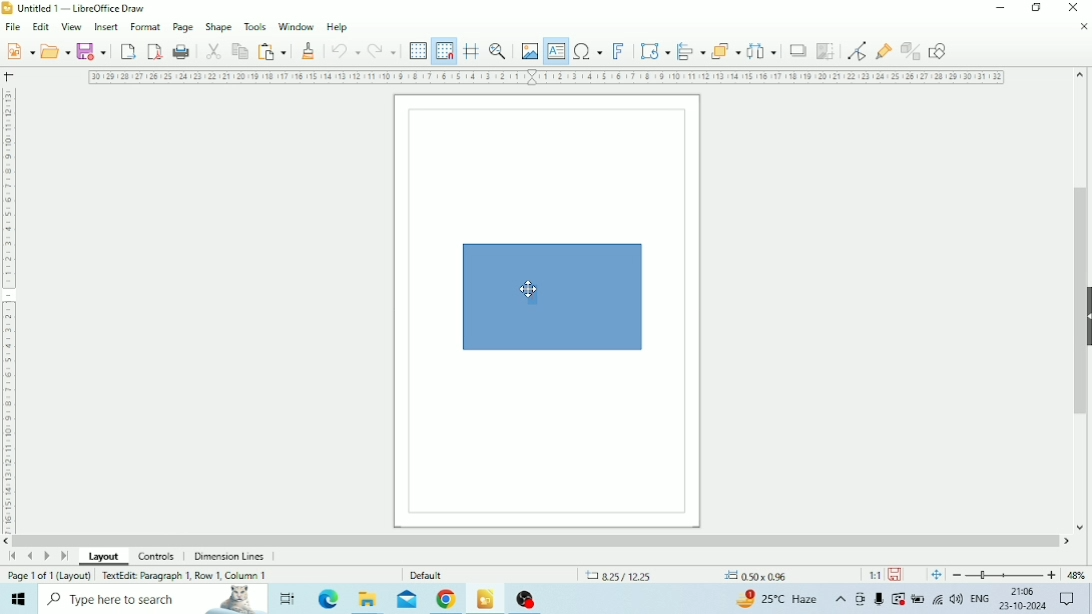 This screenshot has width=1092, height=614. What do you see at coordinates (419, 51) in the screenshot?
I see `Display Grid` at bounding box center [419, 51].